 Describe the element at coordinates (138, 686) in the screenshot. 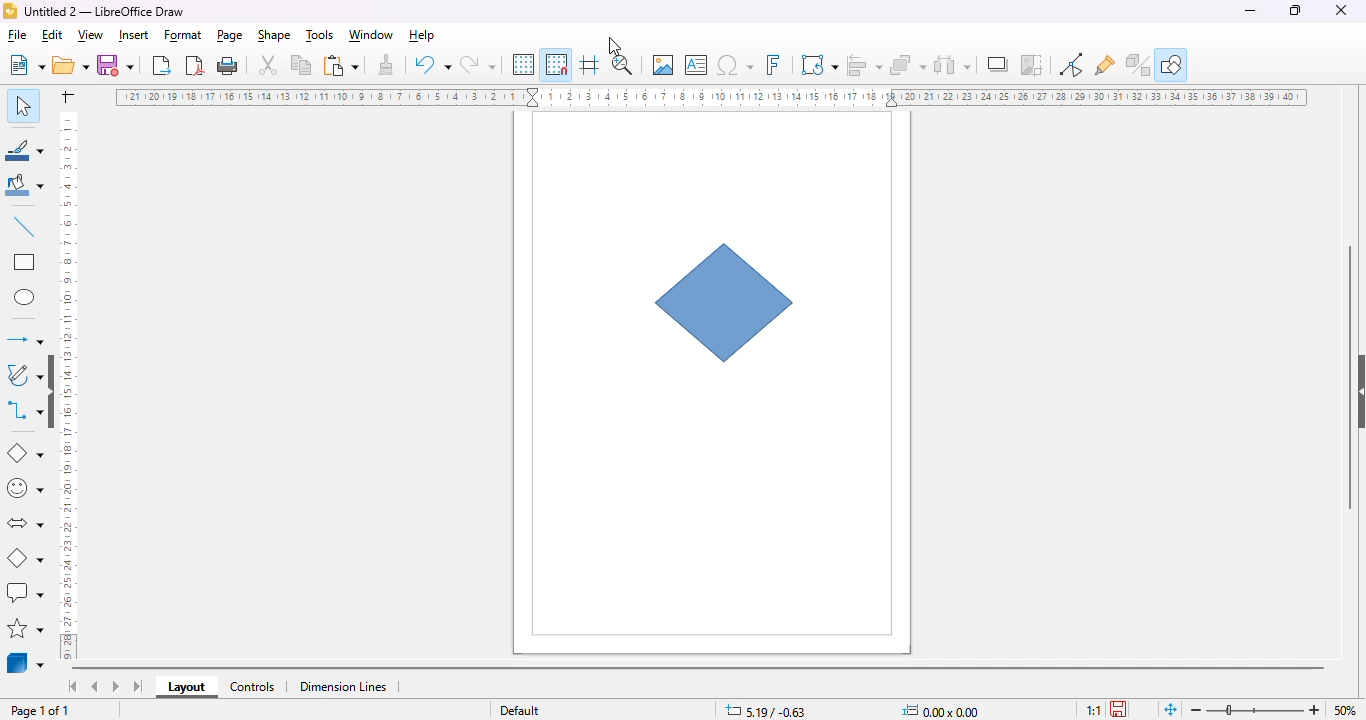

I see `scroll to last sheet` at that location.